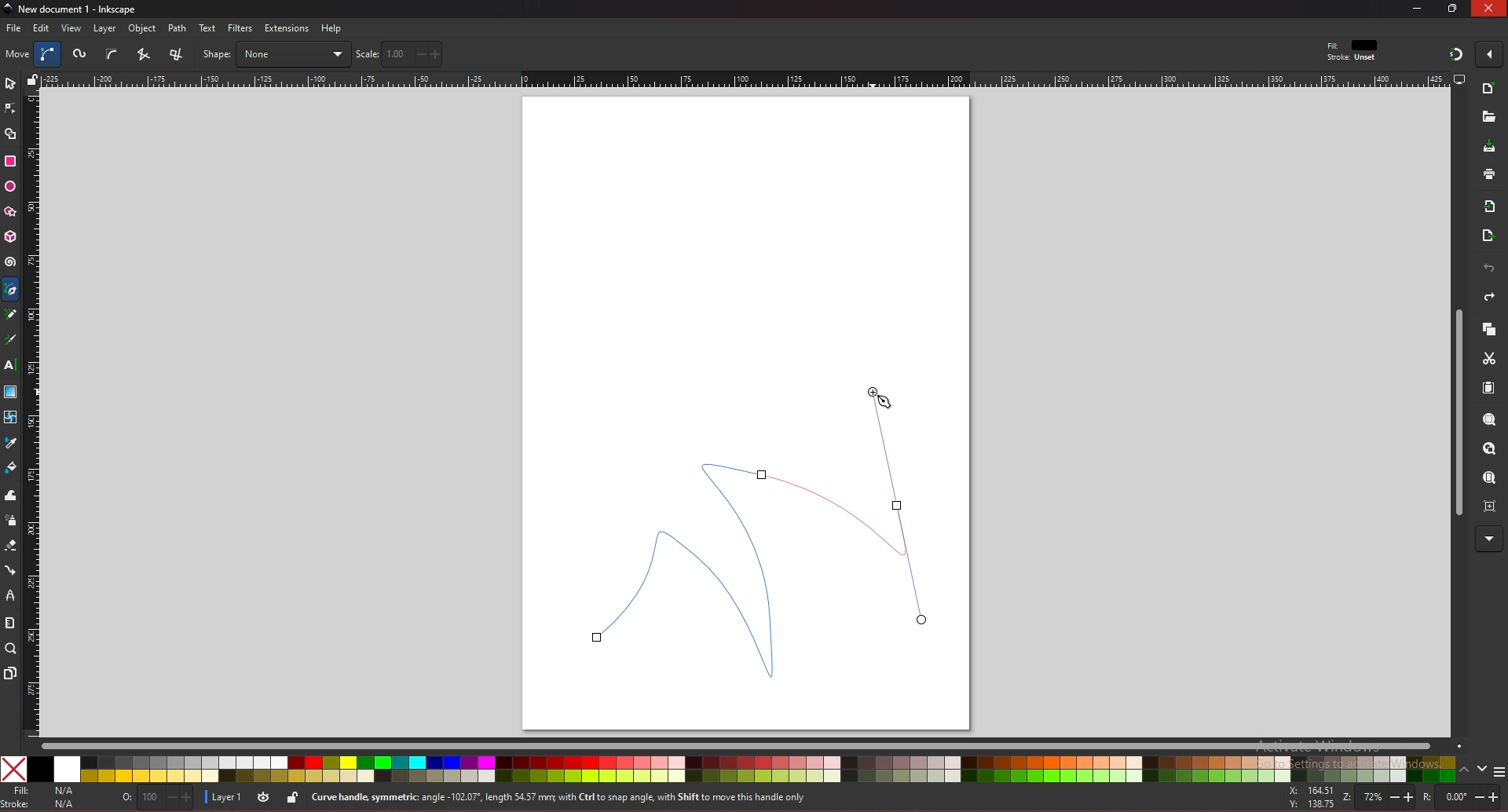 This screenshot has width=1508, height=812. What do you see at coordinates (1375, 796) in the screenshot?
I see `zoom` at bounding box center [1375, 796].